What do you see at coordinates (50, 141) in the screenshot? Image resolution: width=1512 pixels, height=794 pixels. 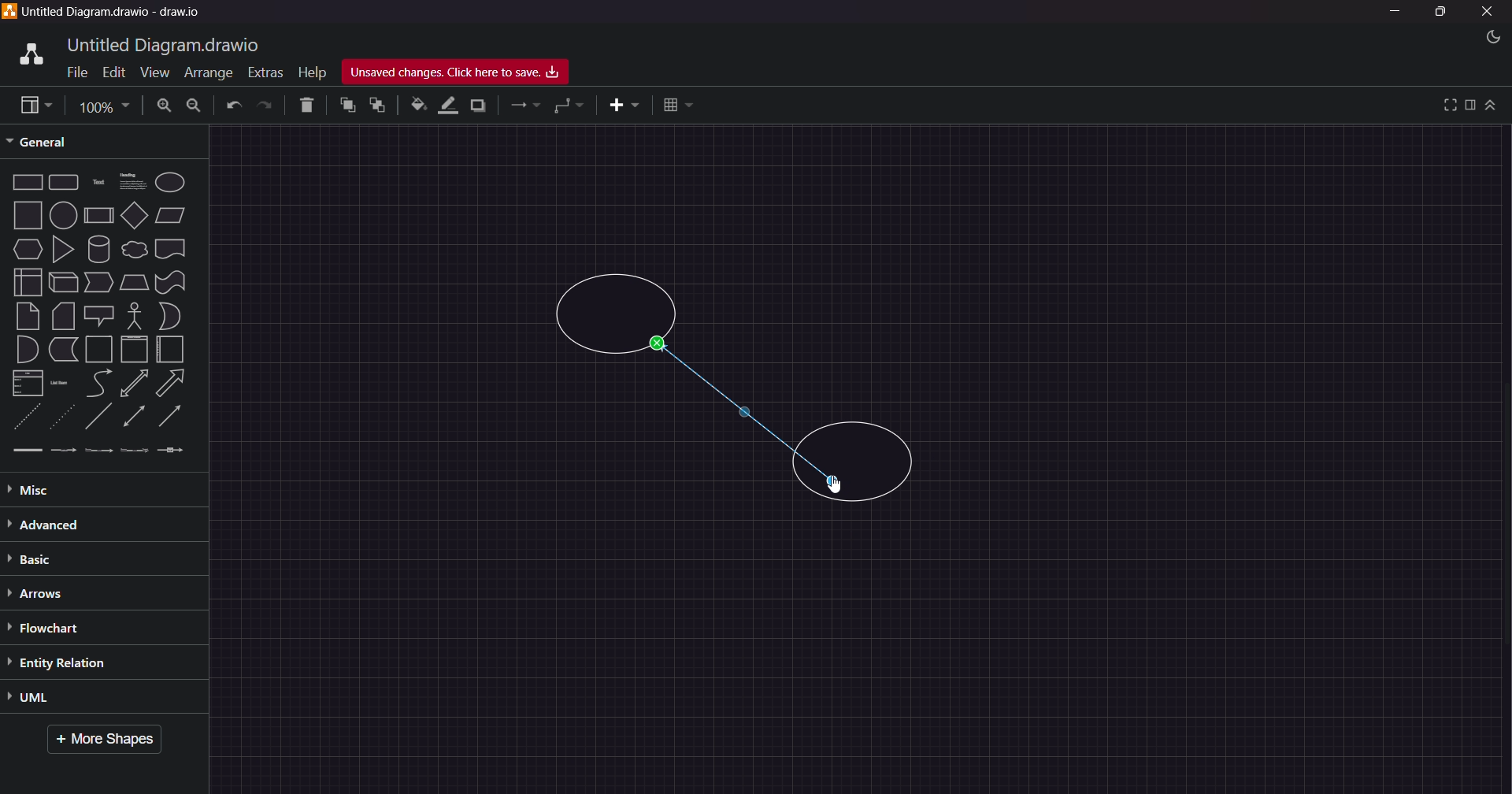 I see `General` at bounding box center [50, 141].